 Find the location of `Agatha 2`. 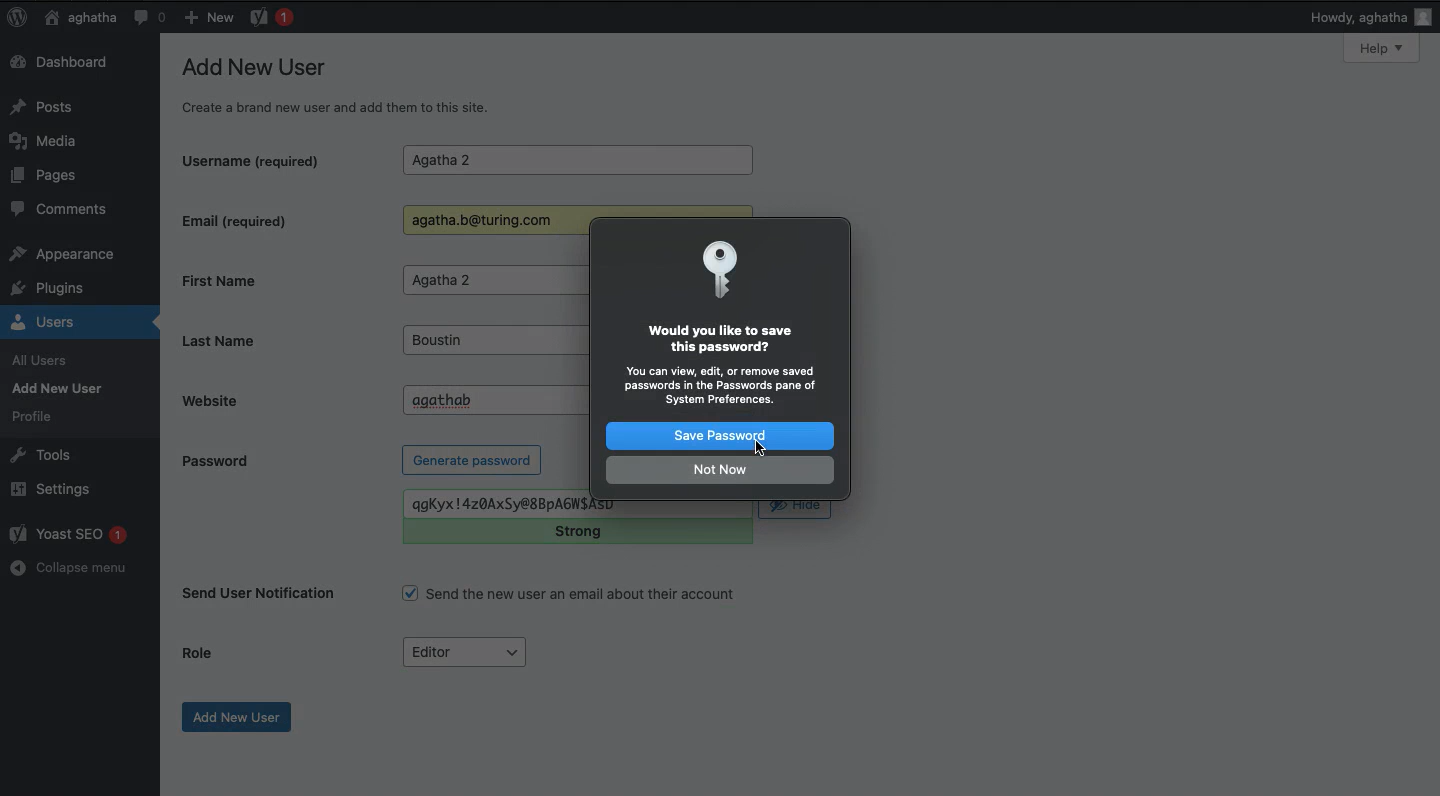

Agatha 2 is located at coordinates (577, 161).